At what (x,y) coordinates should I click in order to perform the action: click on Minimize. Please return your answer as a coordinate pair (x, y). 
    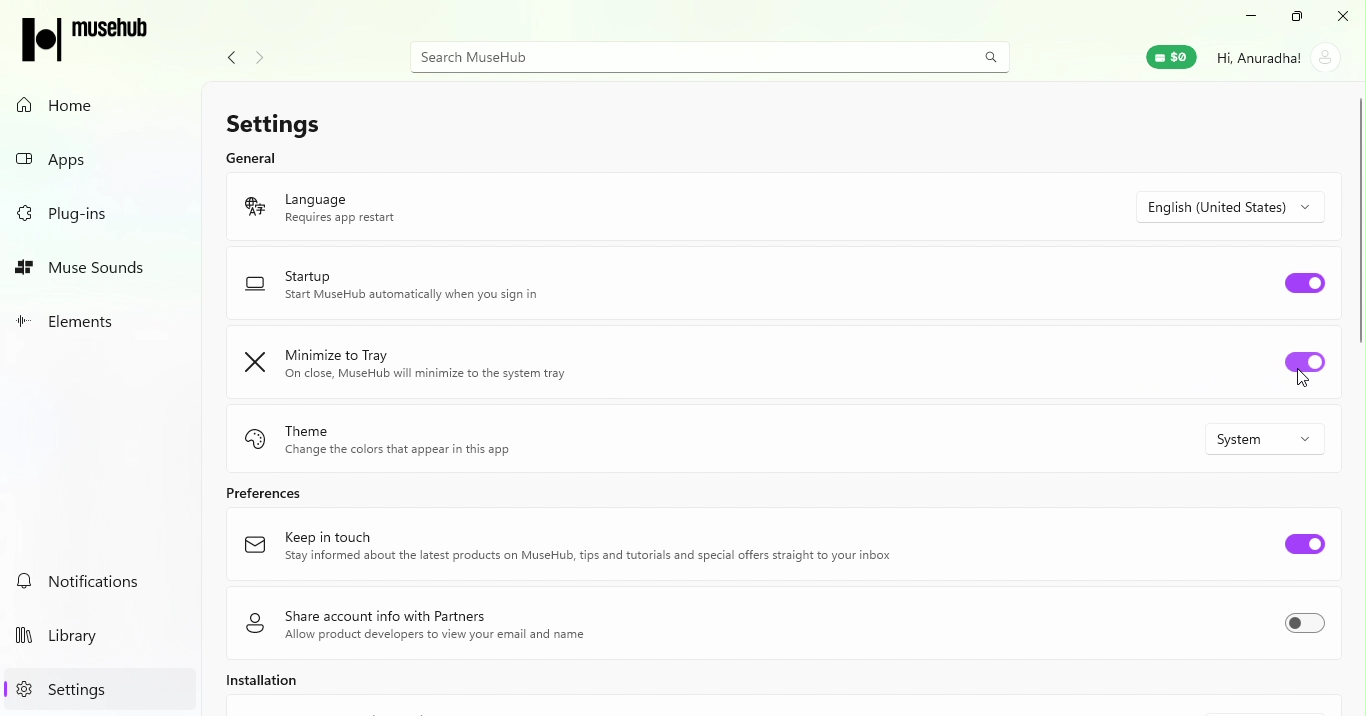
    Looking at the image, I should click on (1245, 18).